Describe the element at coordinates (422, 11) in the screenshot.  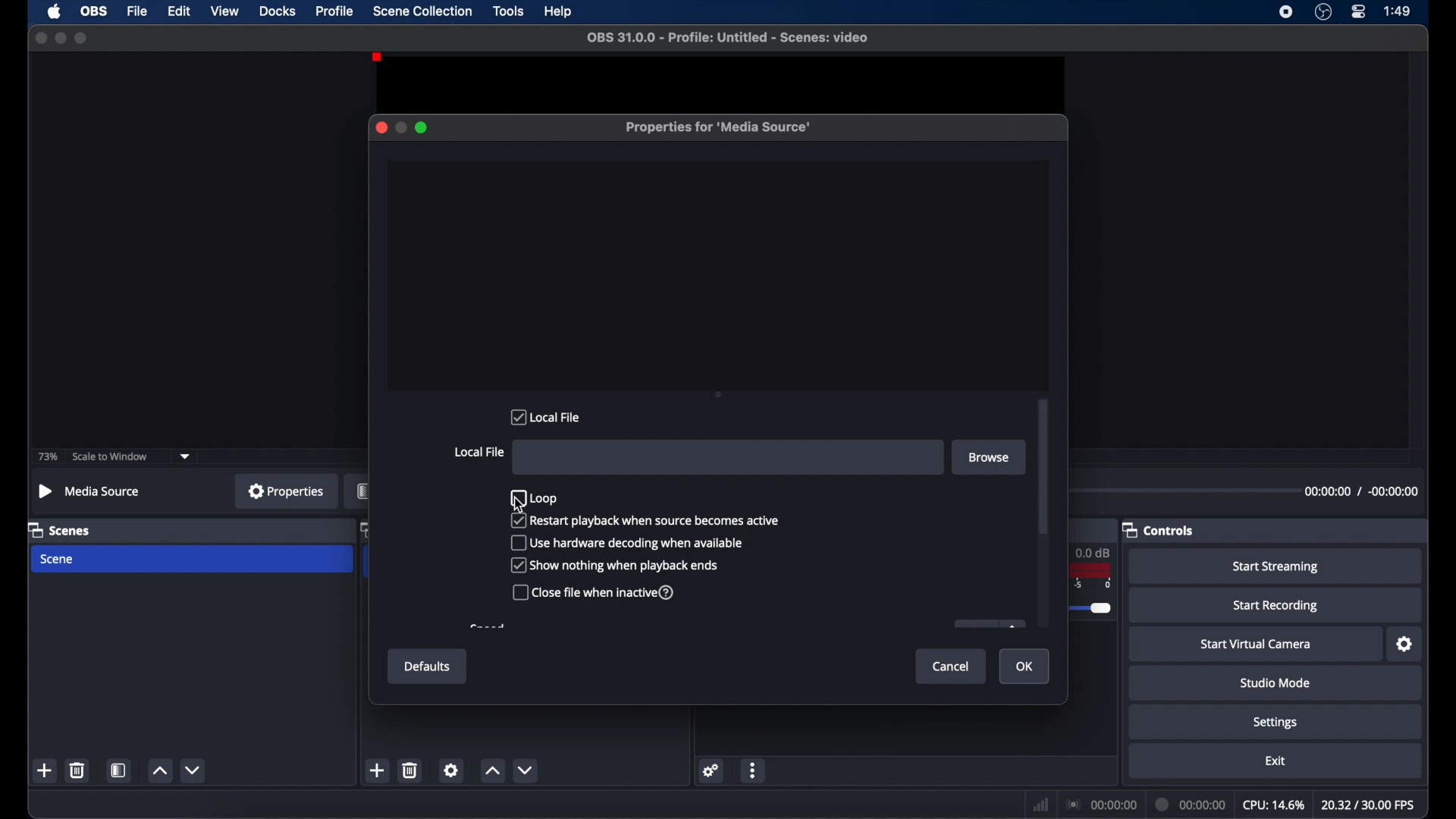
I see `scene collection` at that location.